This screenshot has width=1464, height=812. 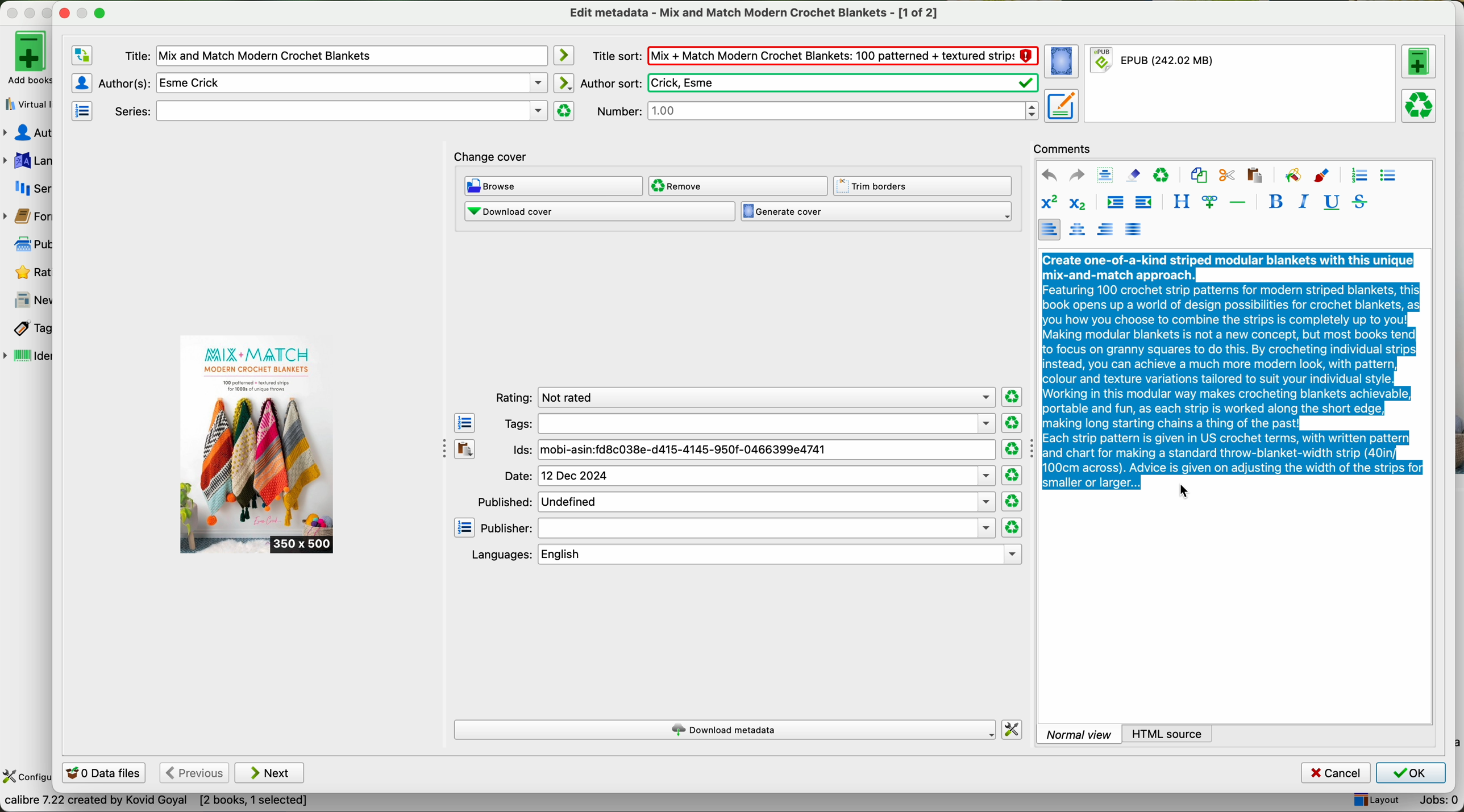 I want to click on comments, so click(x=1066, y=147).